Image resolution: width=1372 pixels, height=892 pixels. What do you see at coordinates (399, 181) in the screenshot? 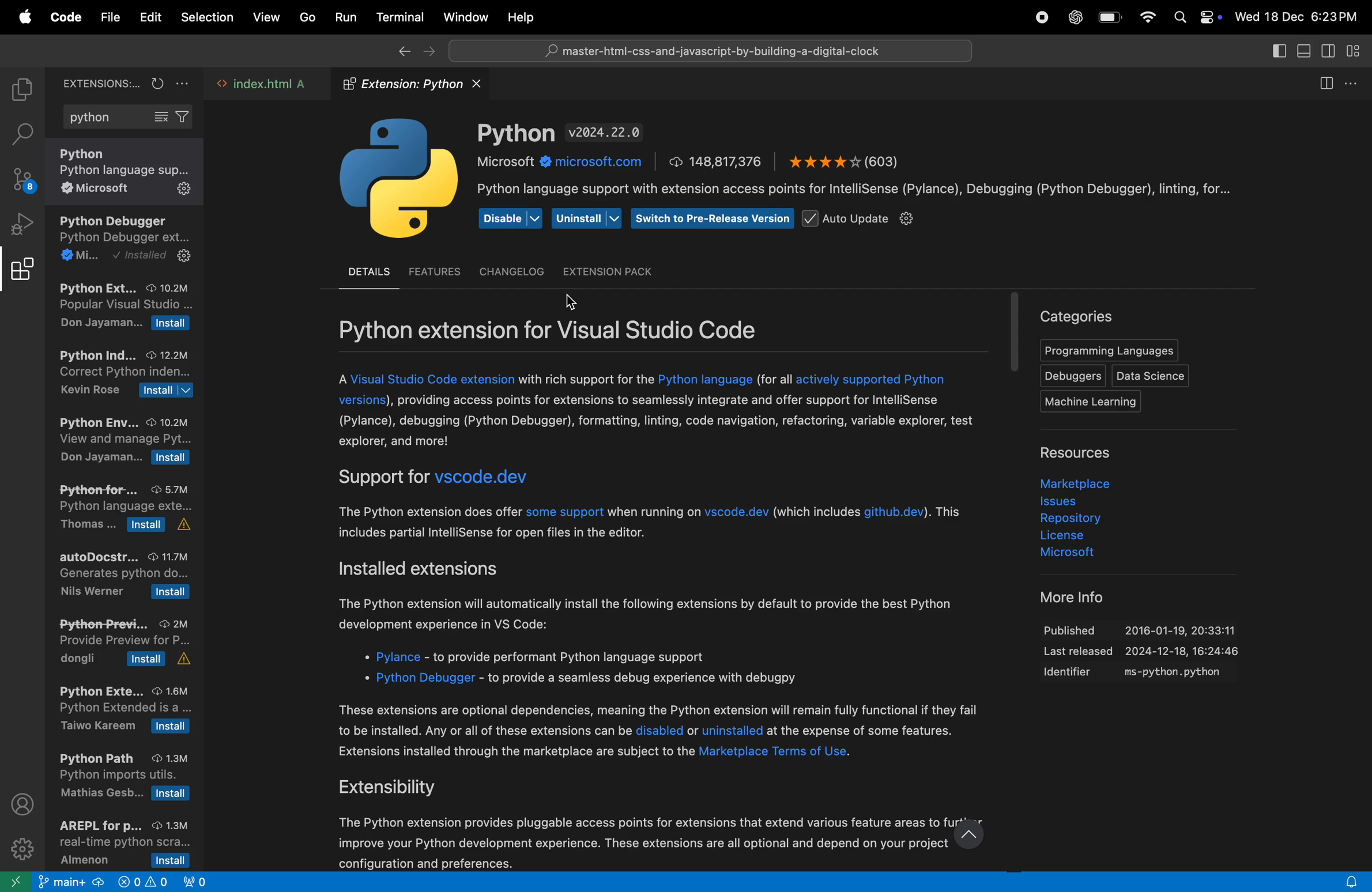
I see `python` at bounding box center [399, 181].